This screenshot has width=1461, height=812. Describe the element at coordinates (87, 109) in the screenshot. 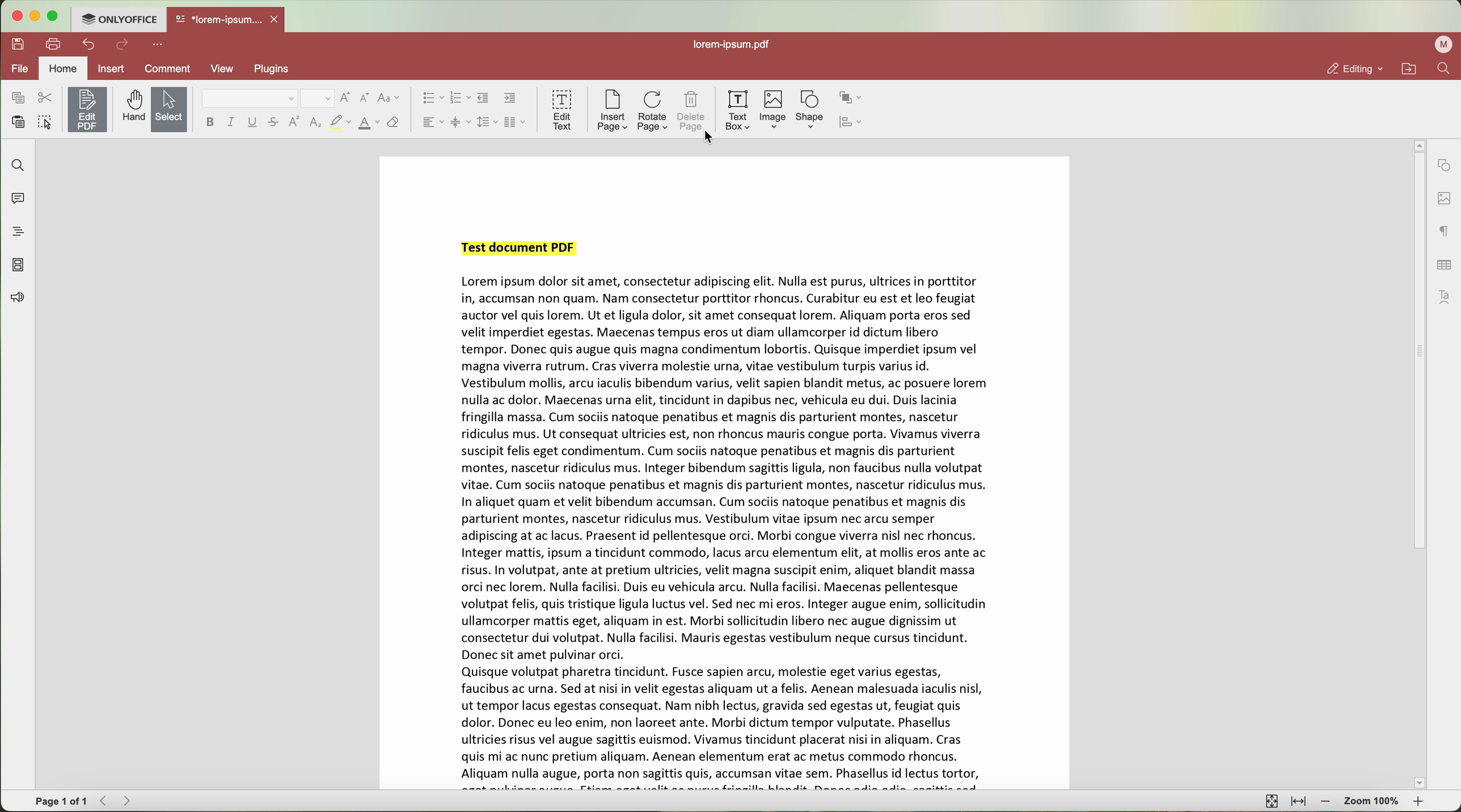

I see `edit PDF` at that location.